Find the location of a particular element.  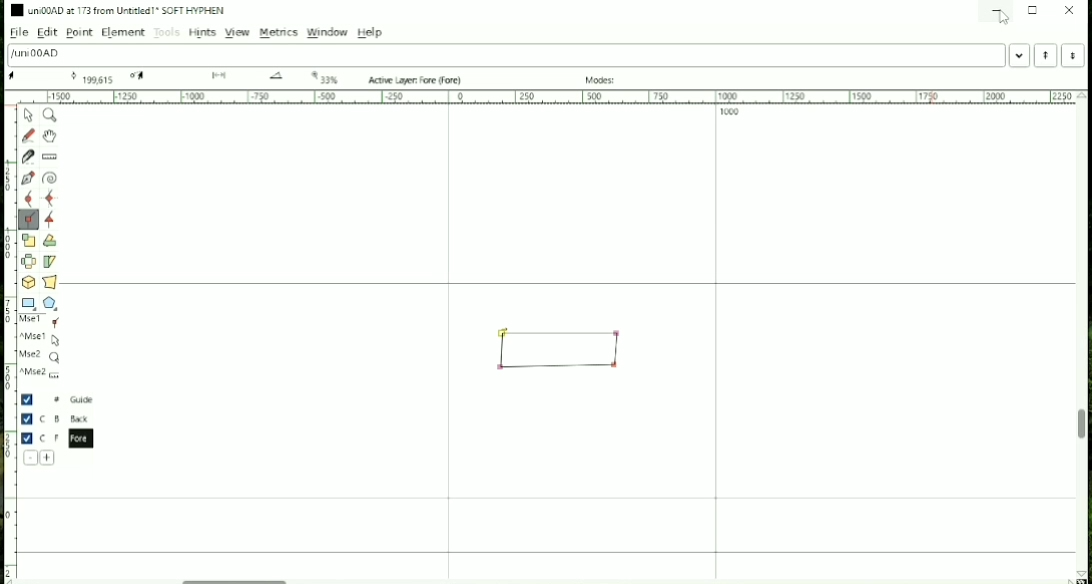

Horizontal scale is located at coordinates (547, 97).